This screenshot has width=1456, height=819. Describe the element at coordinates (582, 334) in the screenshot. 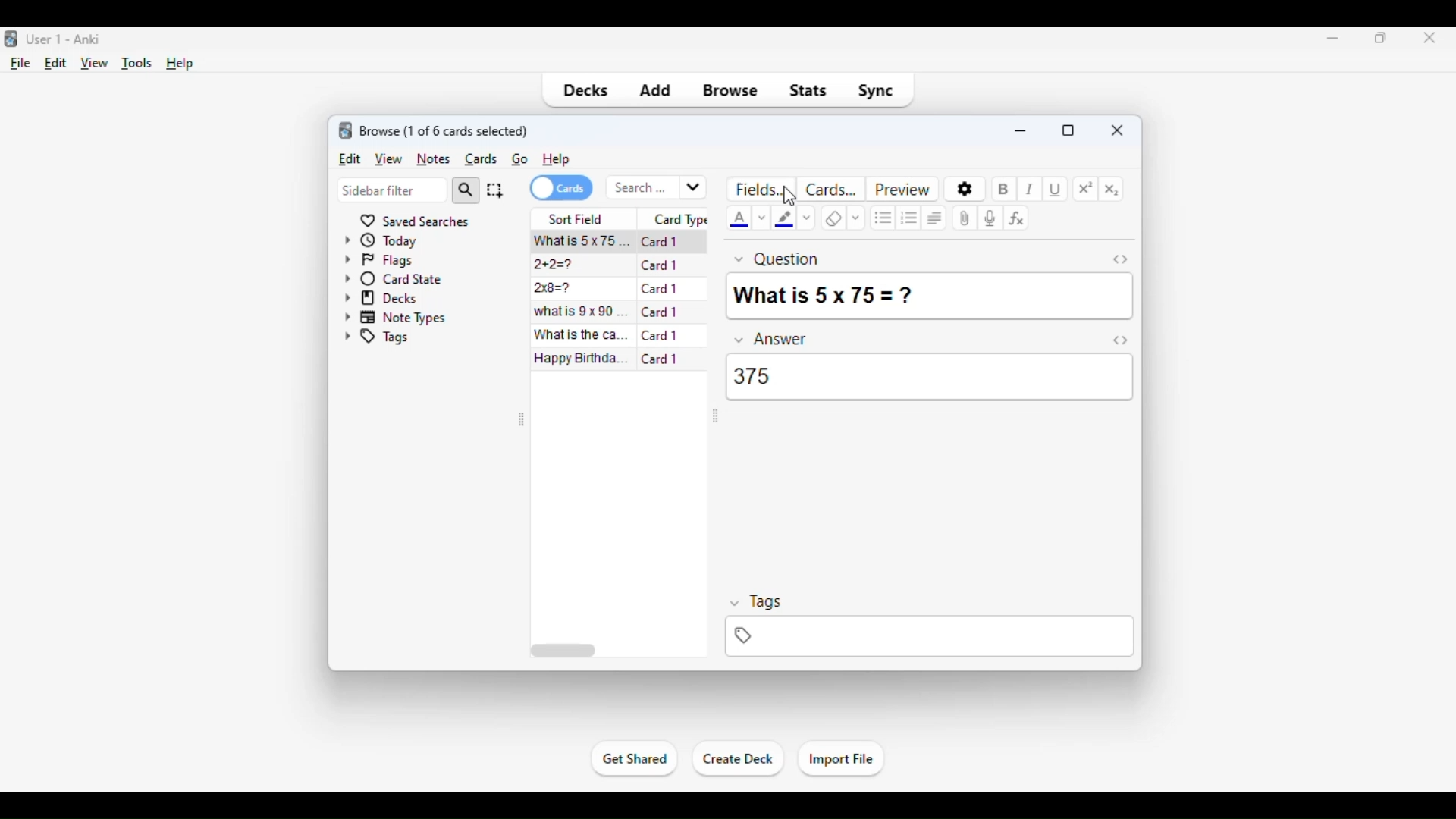

I see `what is the capital of France?` at that location.